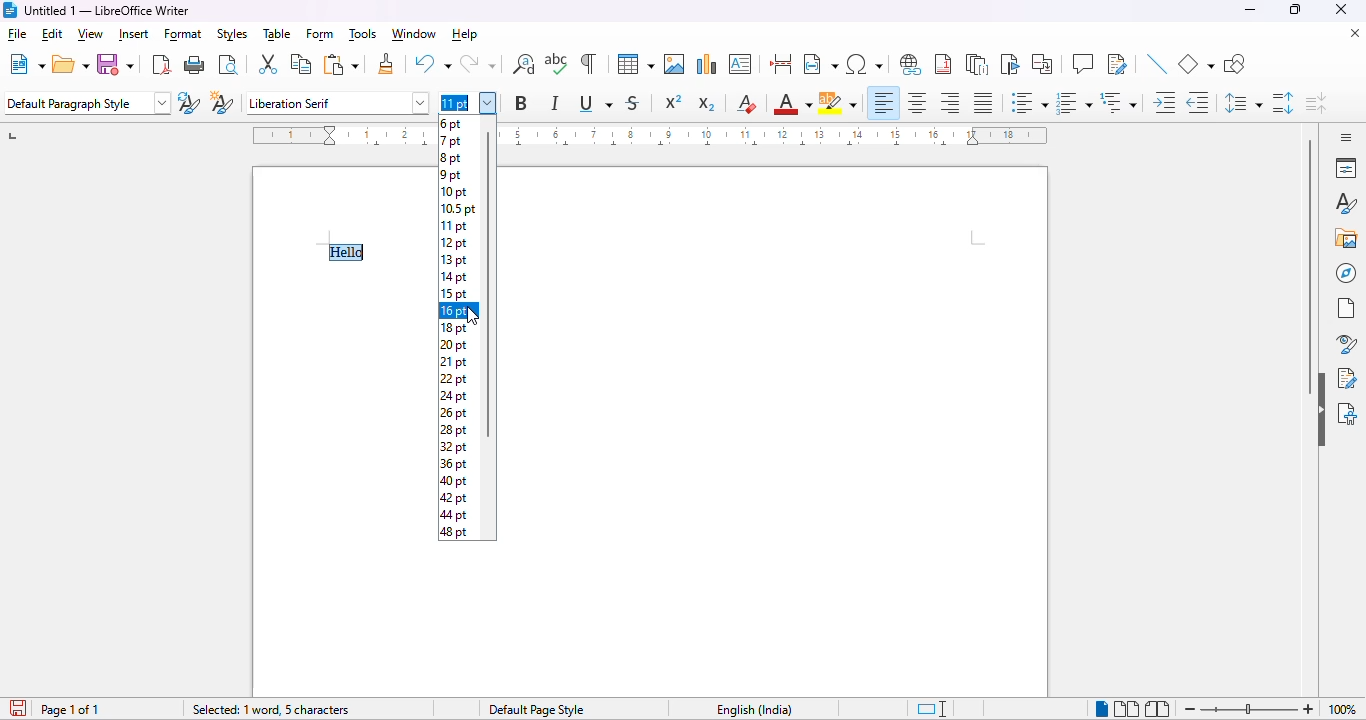 This screenshot has height=720, width=1366. I want to click on show draw functions, so click(1234, 65).